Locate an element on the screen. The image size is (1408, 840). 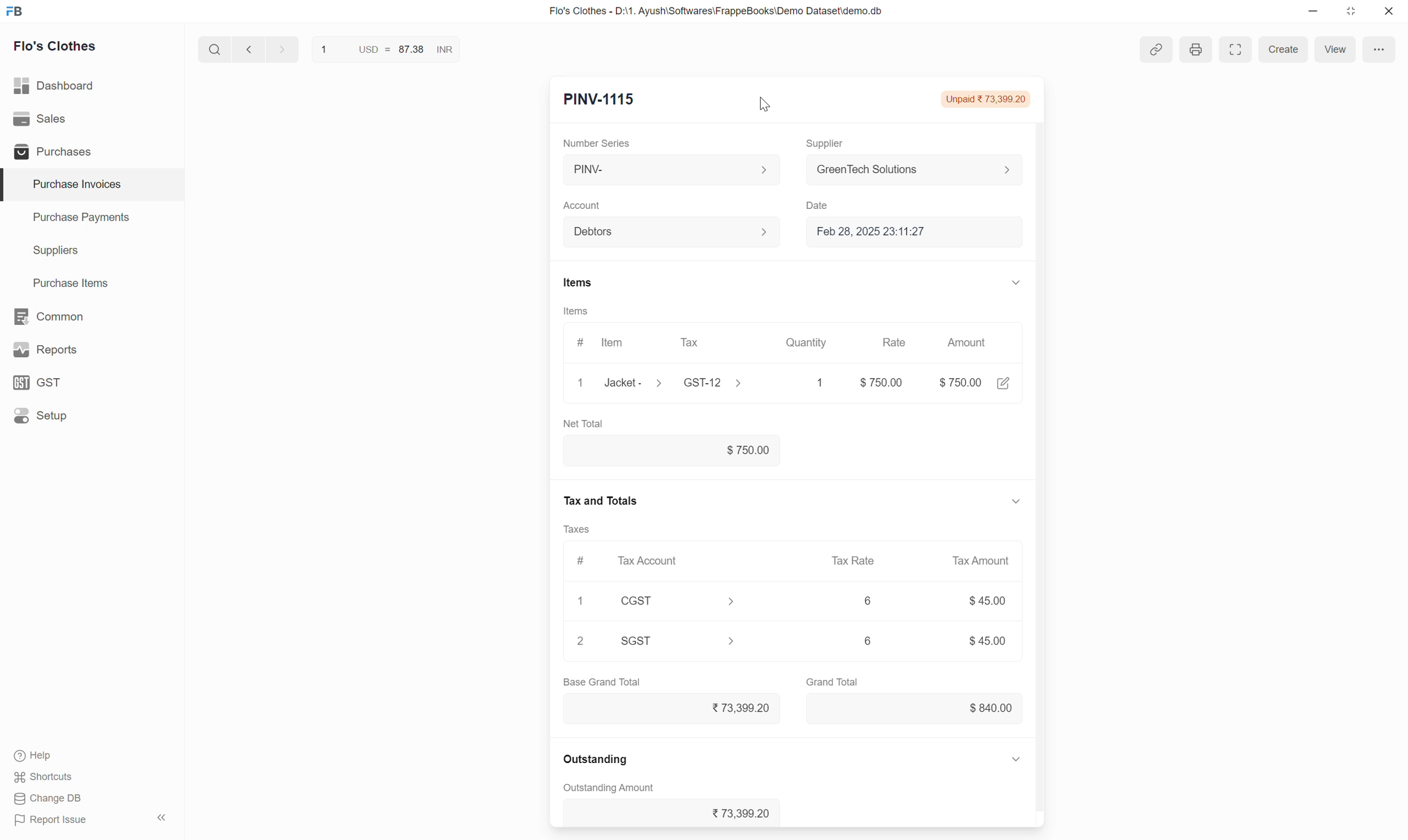
73,399.20 is located at coordinates (672, 812).